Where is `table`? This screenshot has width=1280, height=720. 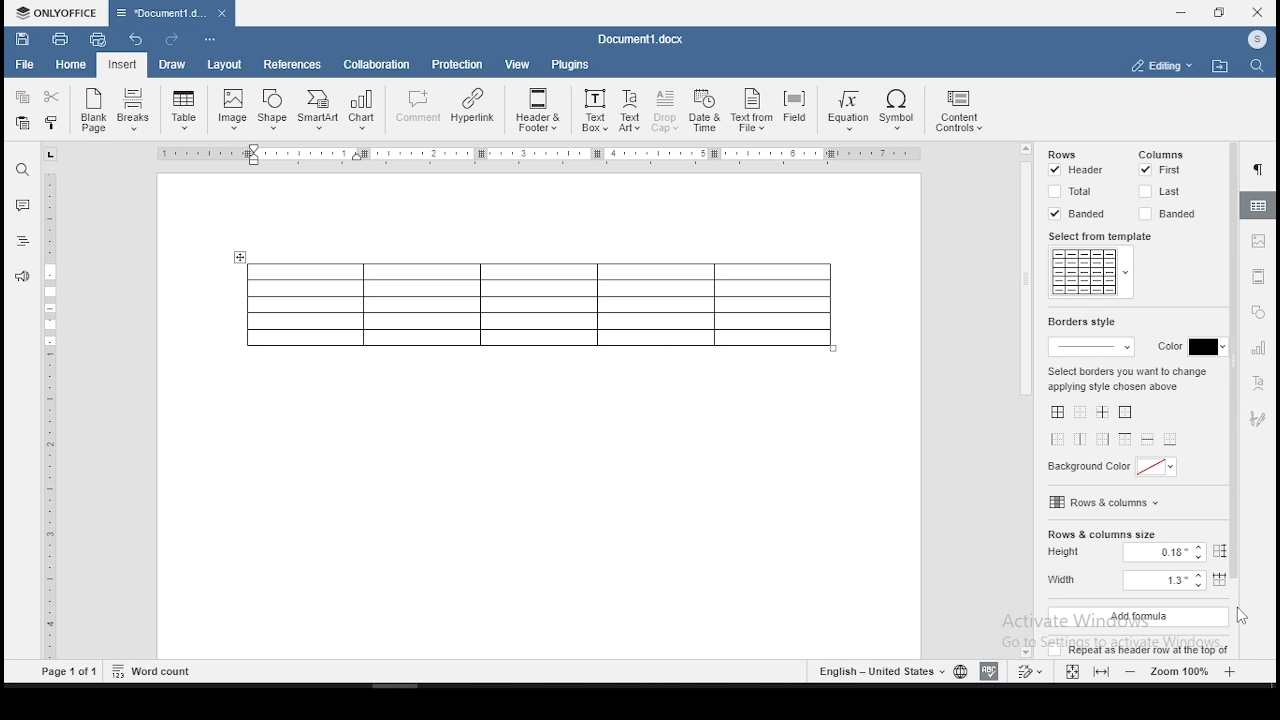 table is located at coordinates (539, 305).